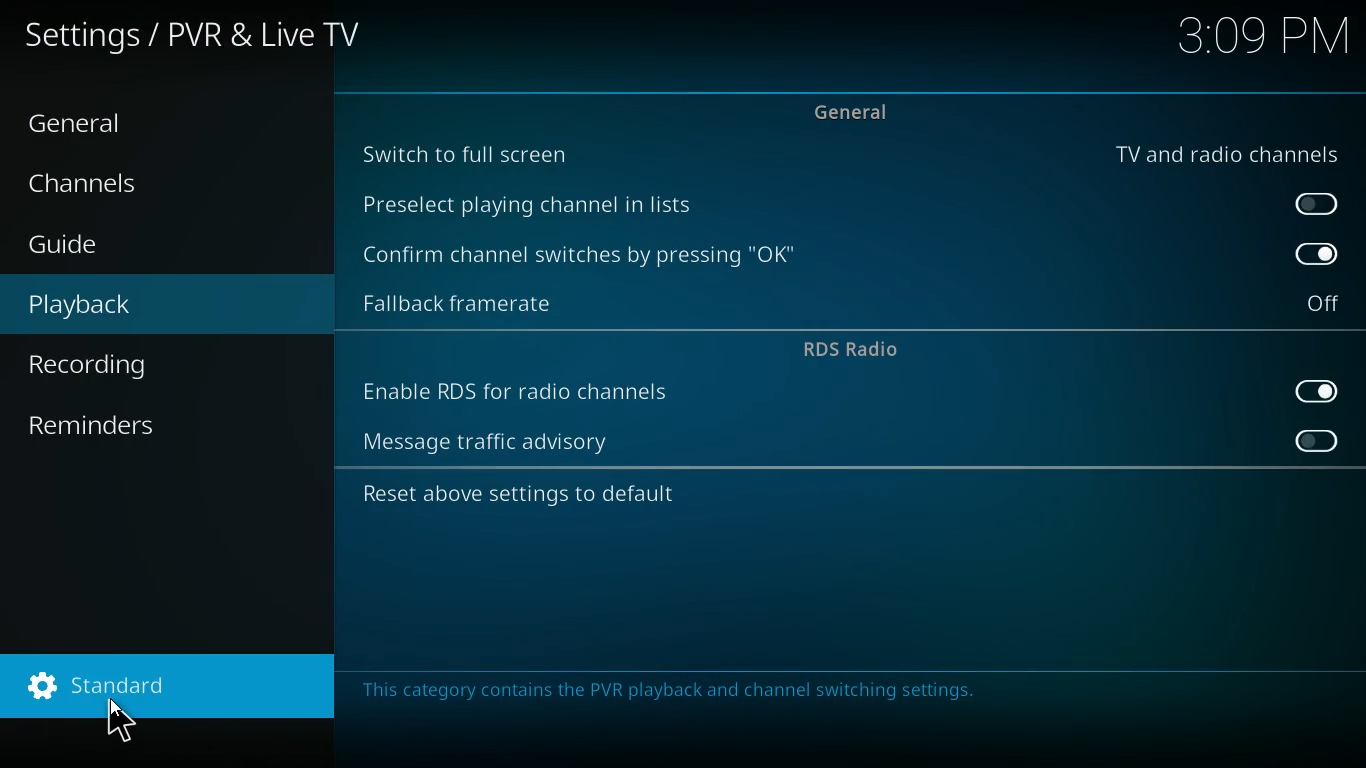  I want to click on general, so click(859, 109).